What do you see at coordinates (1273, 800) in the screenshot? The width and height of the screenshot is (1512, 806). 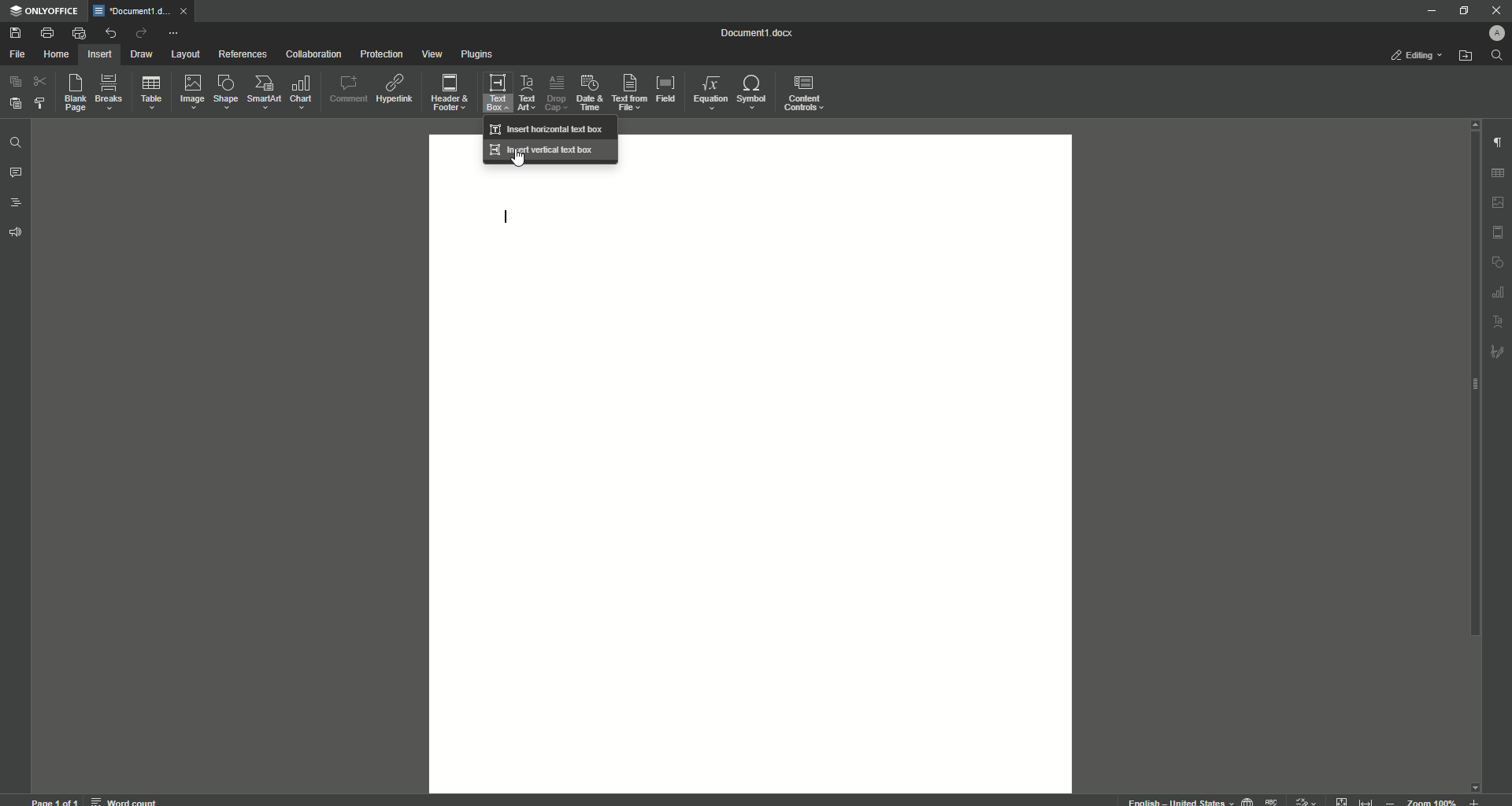 I see `spell checking` at bounding box center [1273, 800].